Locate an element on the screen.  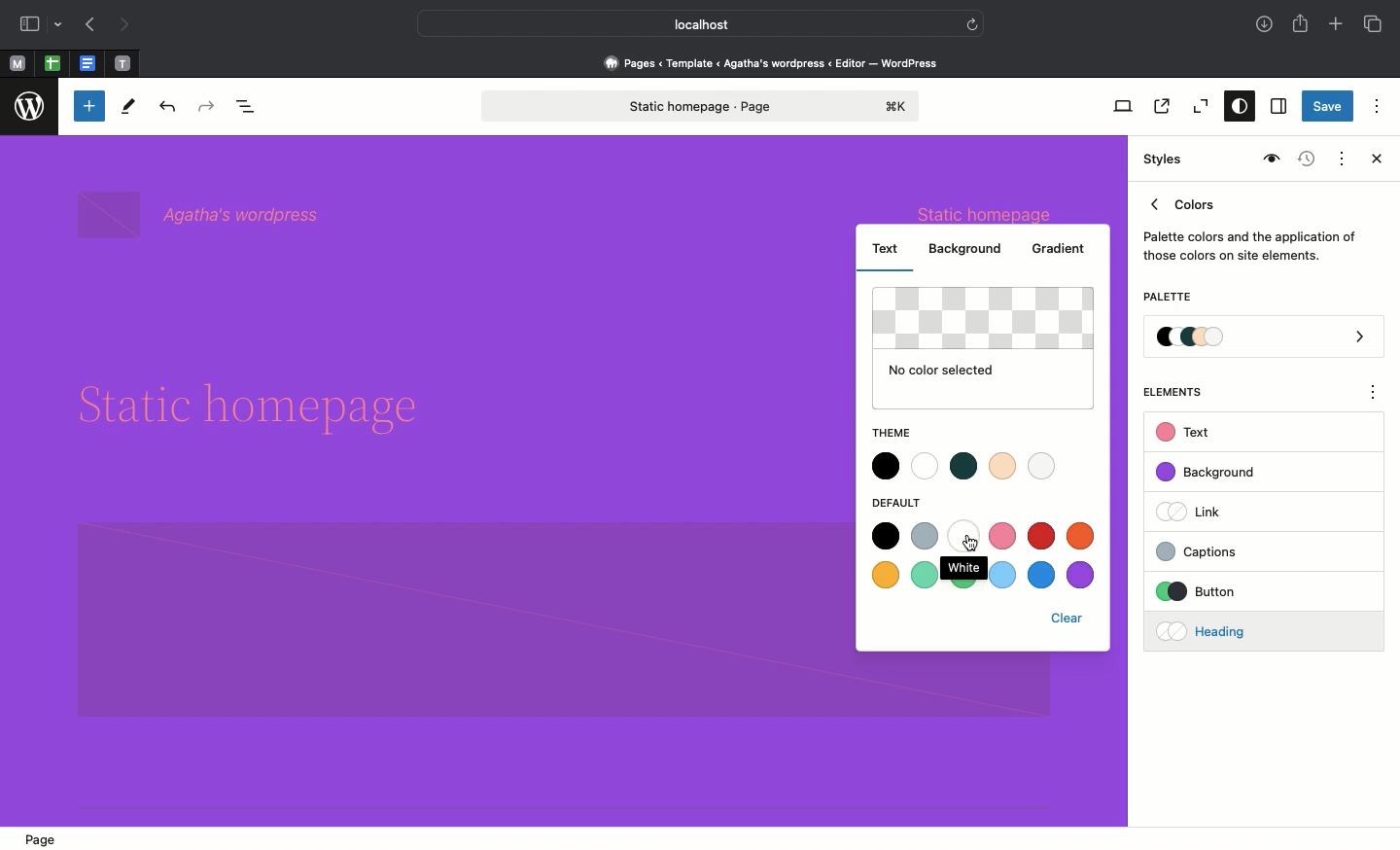
Downloads is located at coordinates (1266, 26).